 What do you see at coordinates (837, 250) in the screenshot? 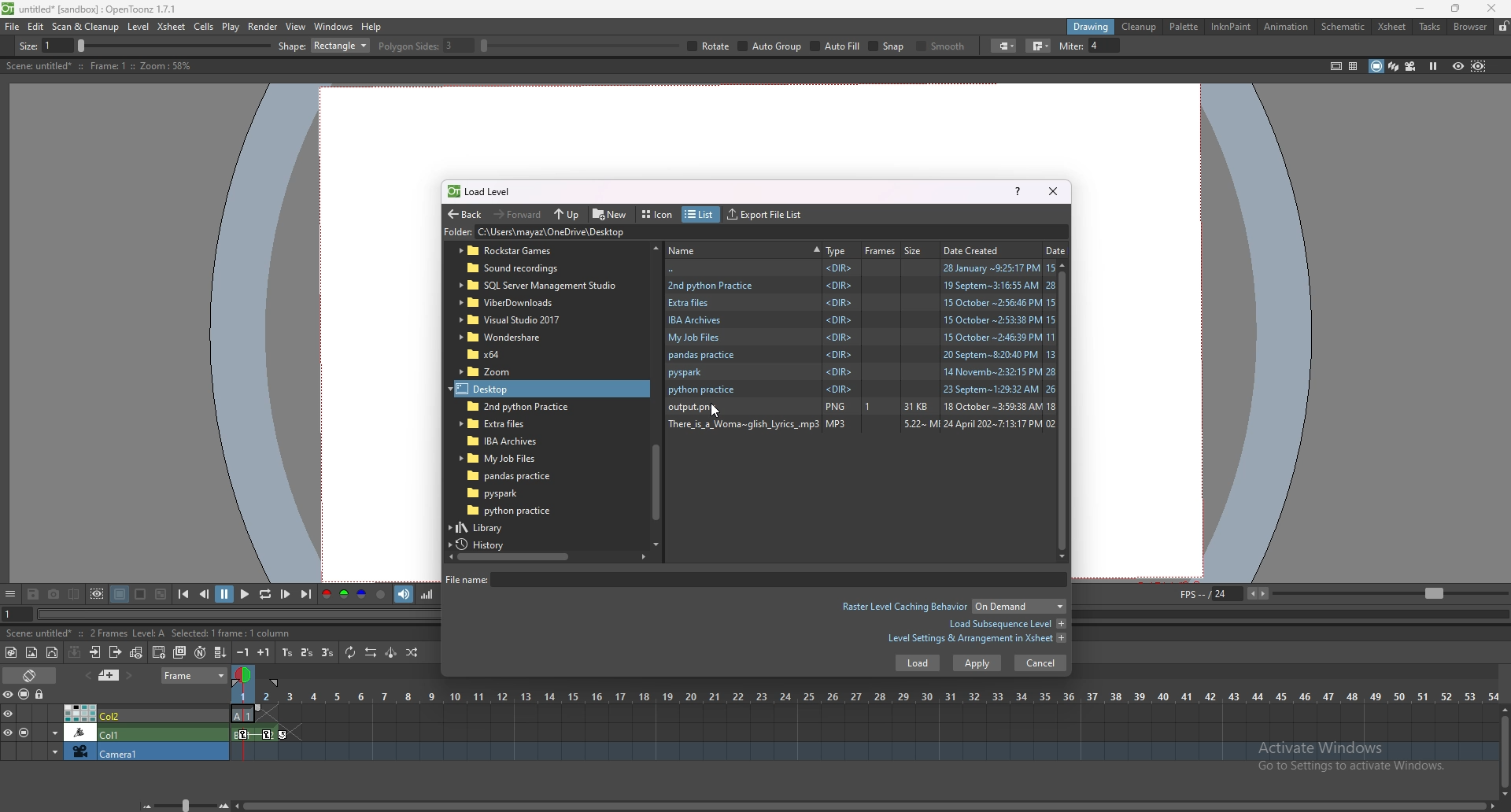
I see `type` at bounding box center [837, 250].